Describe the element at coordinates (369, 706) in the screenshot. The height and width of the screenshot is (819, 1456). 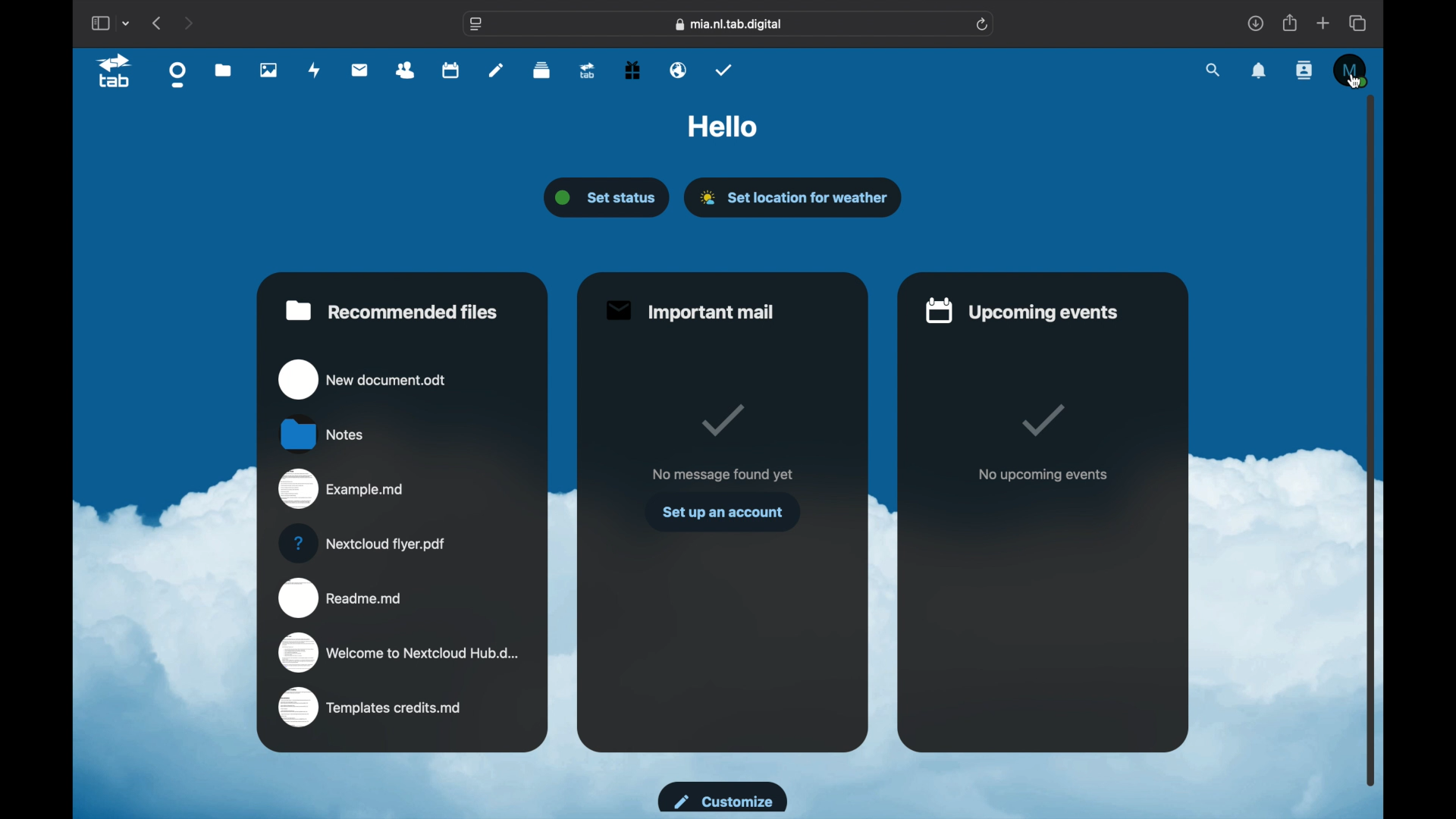
I see `templates` at that location.